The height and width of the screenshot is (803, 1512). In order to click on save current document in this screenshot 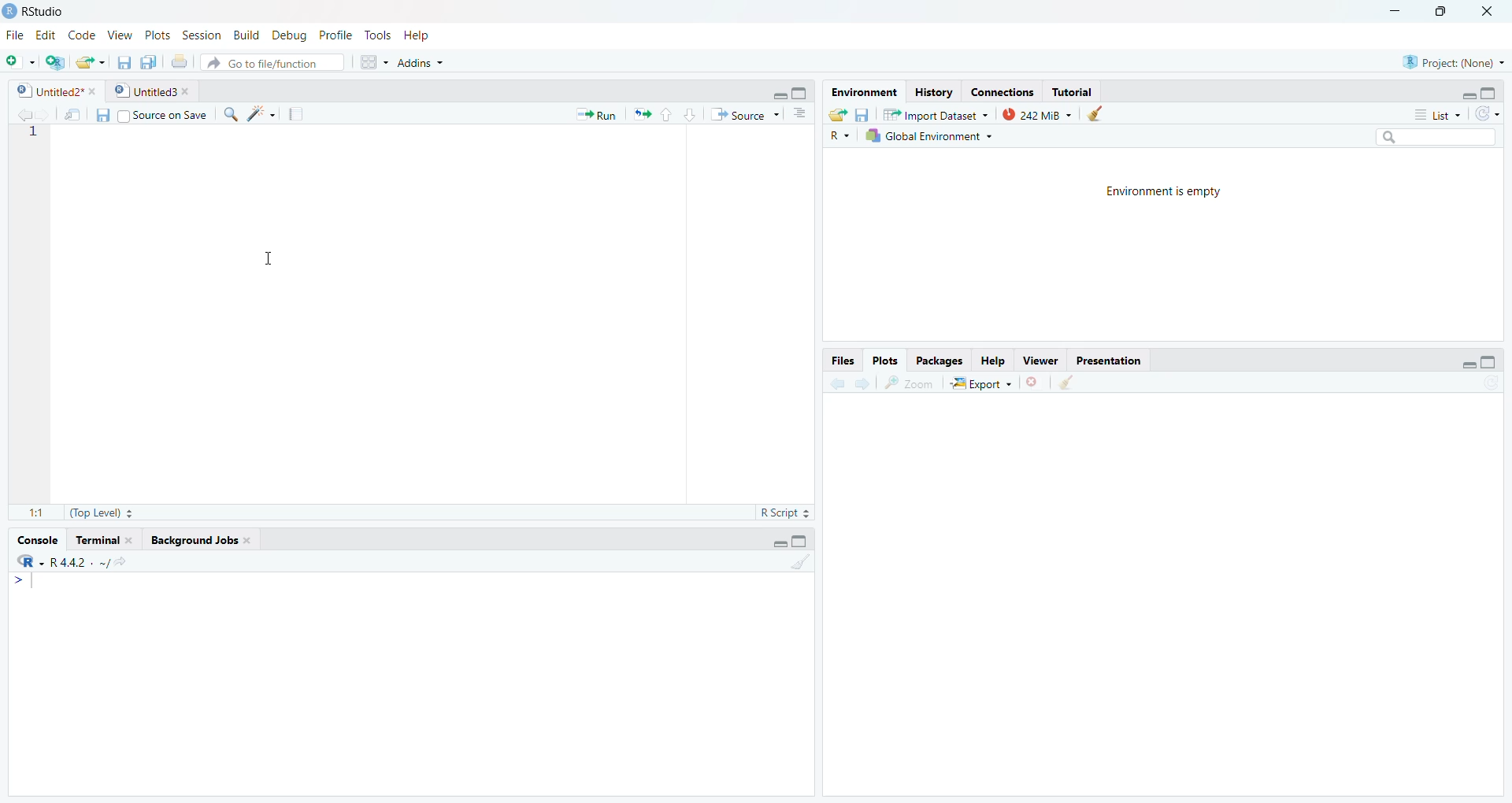, I will do `click(122, 61)`.